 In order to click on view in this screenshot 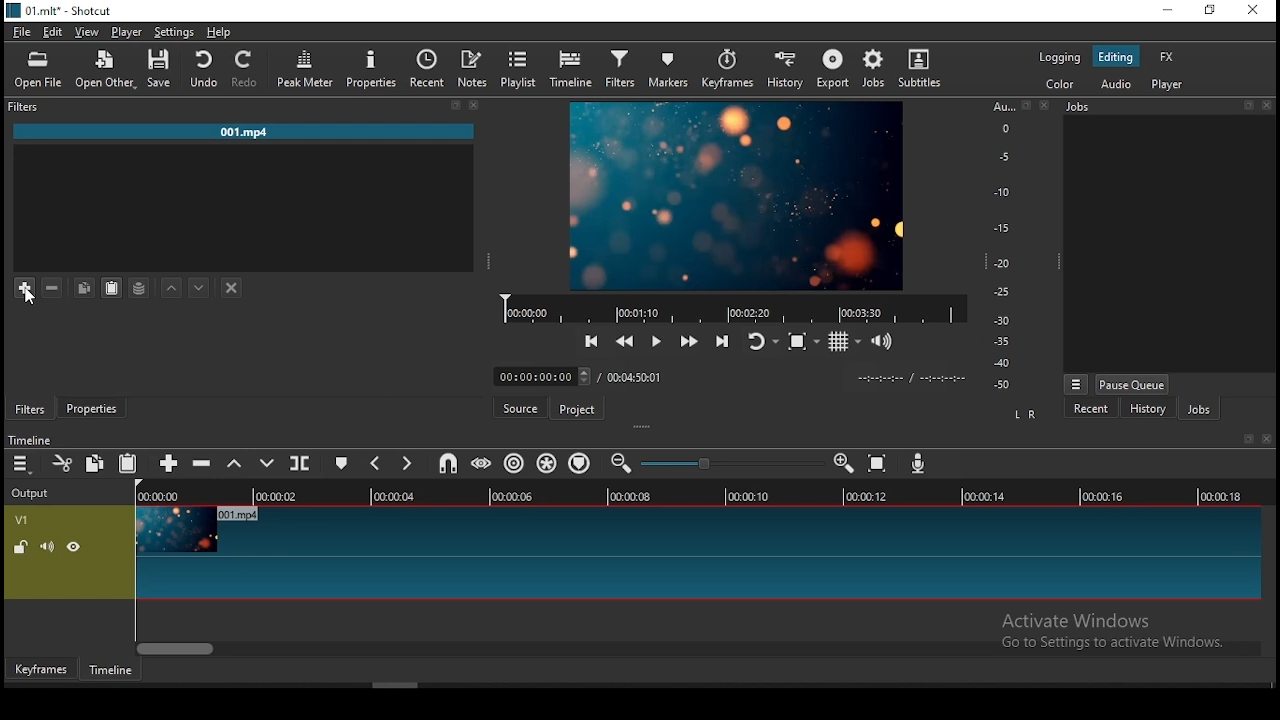, I will do `click(88, 33)`.